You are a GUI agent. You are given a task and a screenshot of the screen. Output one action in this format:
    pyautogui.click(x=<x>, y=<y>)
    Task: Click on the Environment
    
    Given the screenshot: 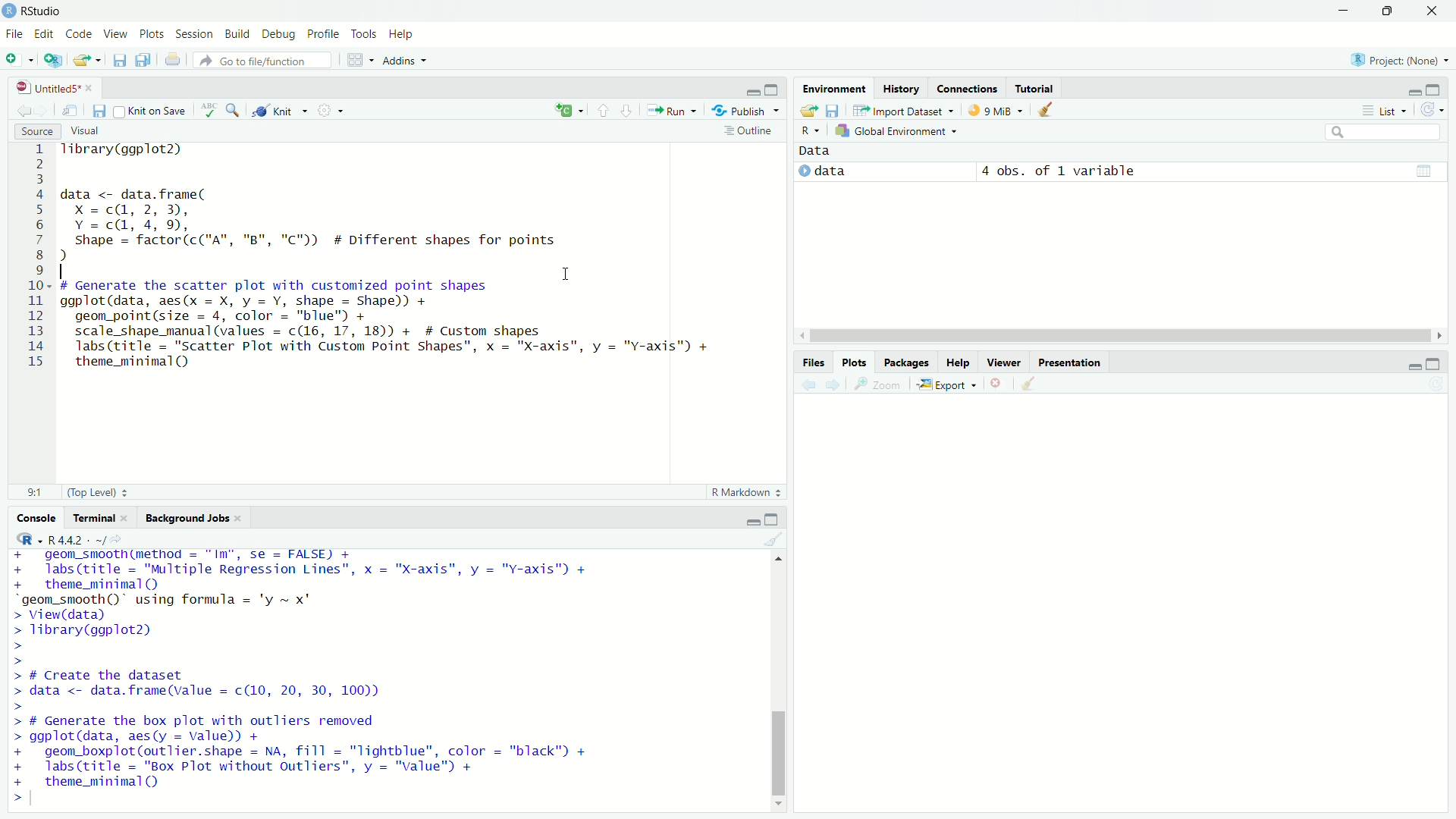 What is the action you would take?
    pyautogui.click(x=834, y=89)
    